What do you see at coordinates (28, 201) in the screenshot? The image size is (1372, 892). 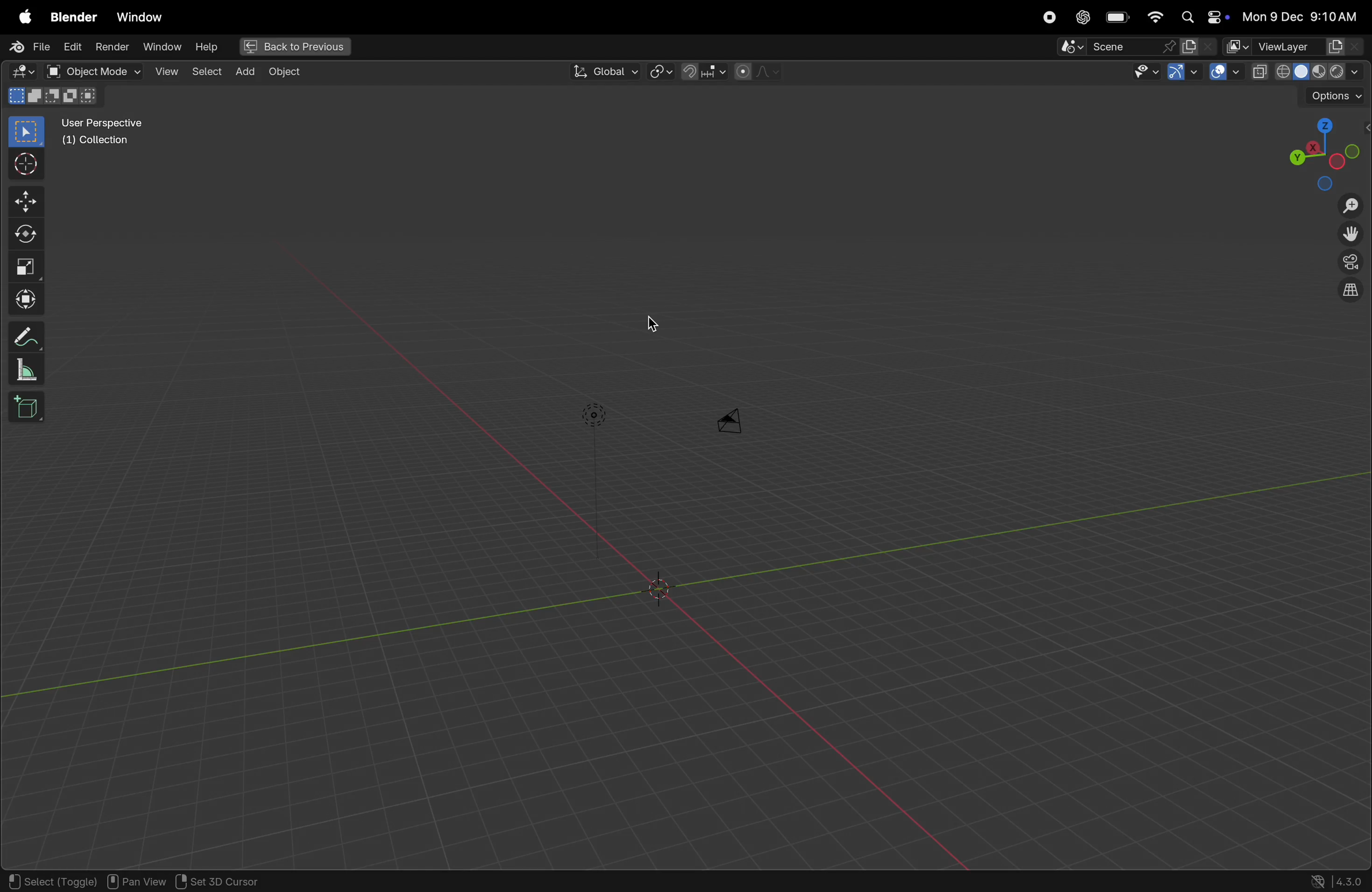 I see `move ` at bounding box center [28, 201].